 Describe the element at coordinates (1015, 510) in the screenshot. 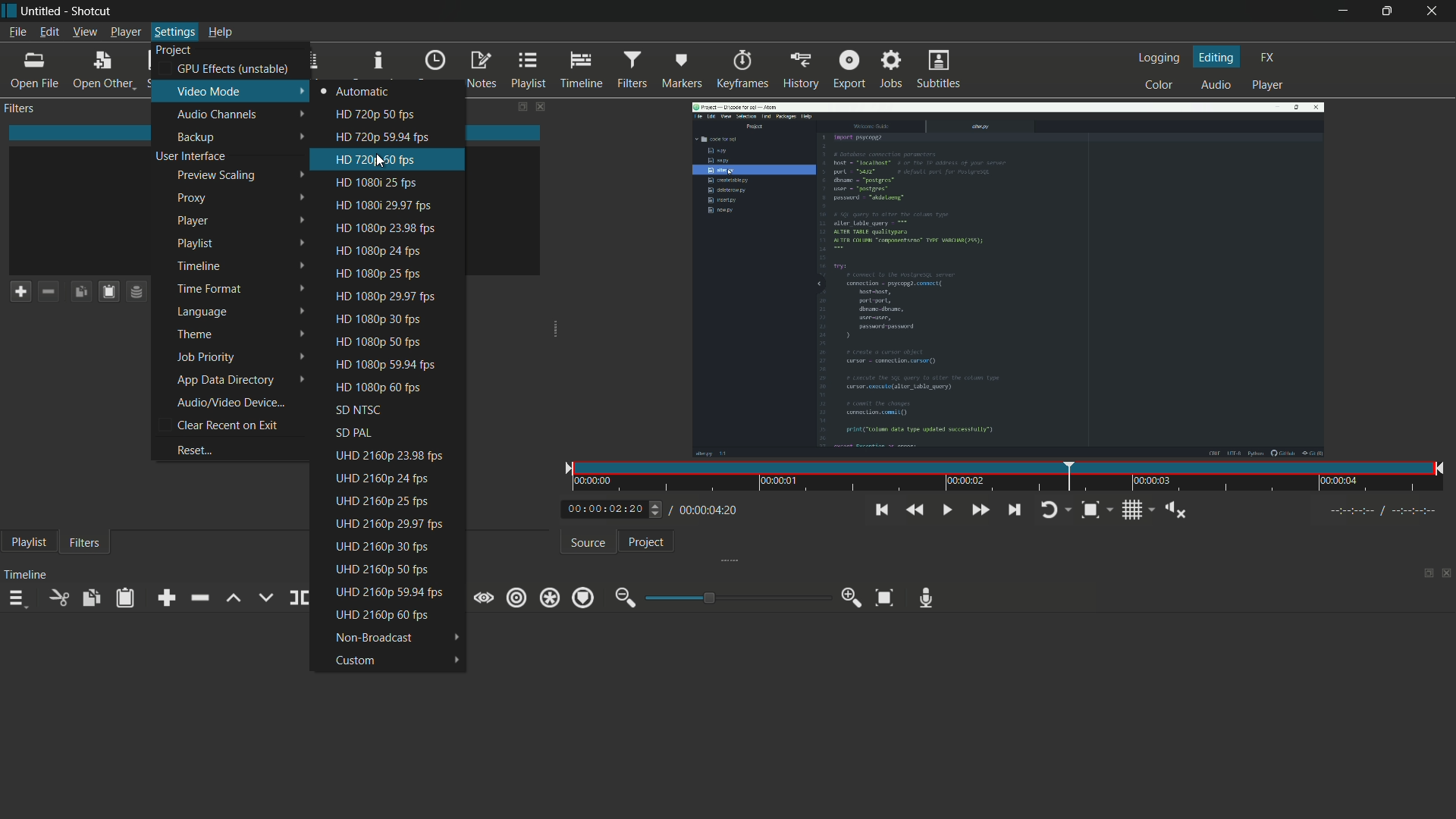

I see `skip to the next point` at that location.